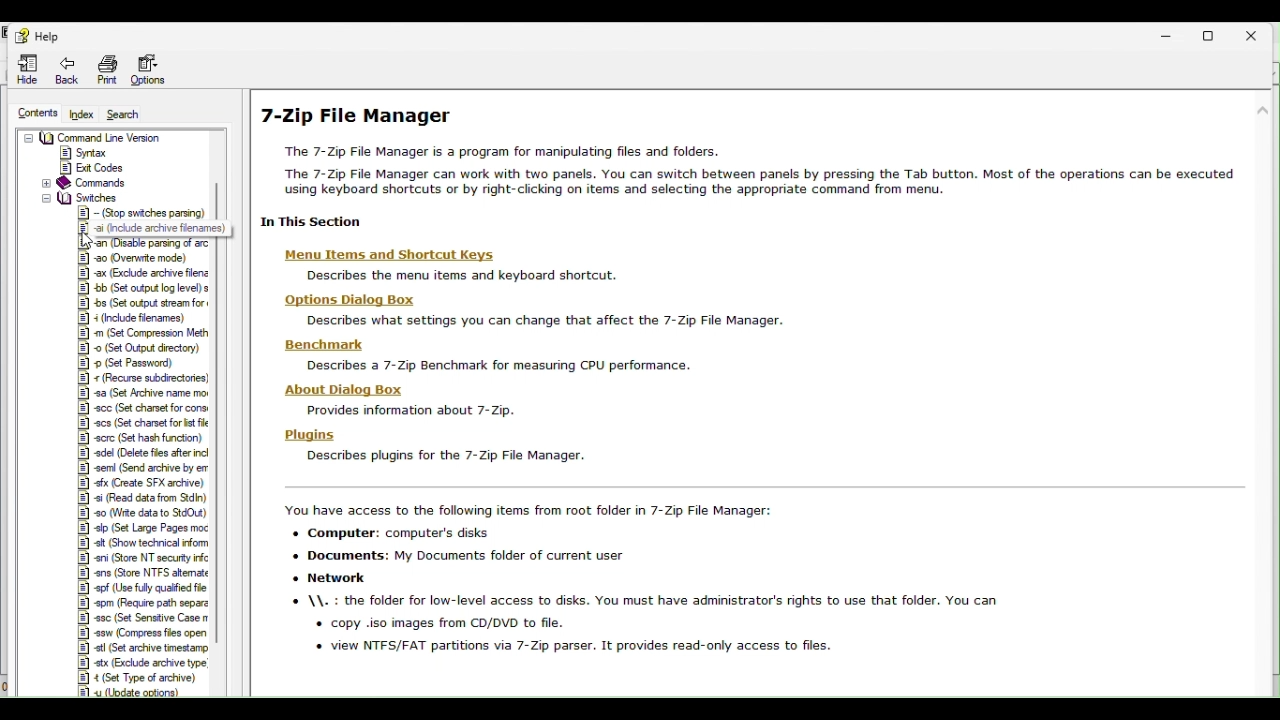  Describe the element at coordinates (143, 406) in the screenshot. I see `Set charset for cons` at that location.